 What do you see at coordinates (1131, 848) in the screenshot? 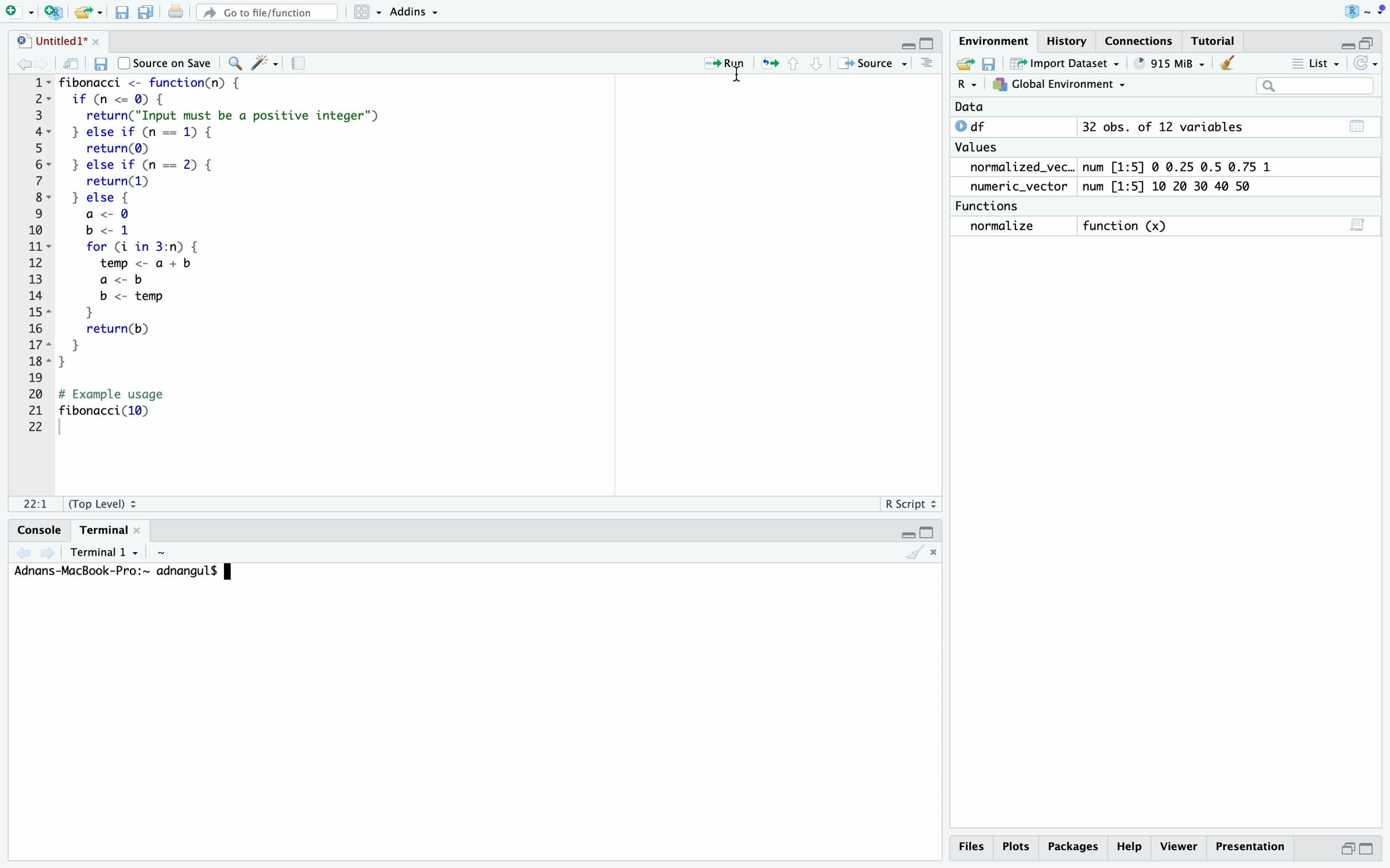
I see `help` at bounding box center [1131, 848].